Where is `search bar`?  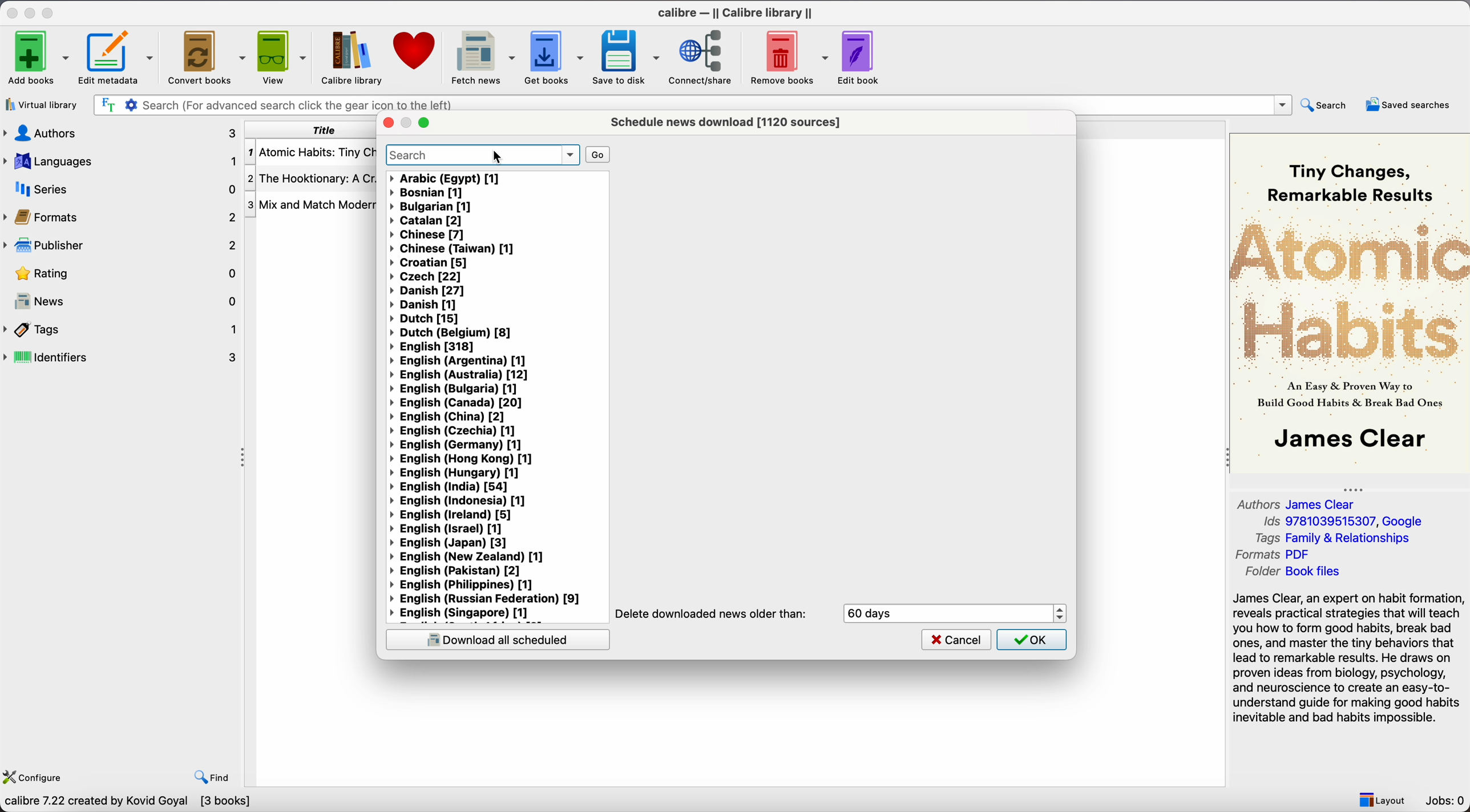
search bar is located at coordinates (482, 155).